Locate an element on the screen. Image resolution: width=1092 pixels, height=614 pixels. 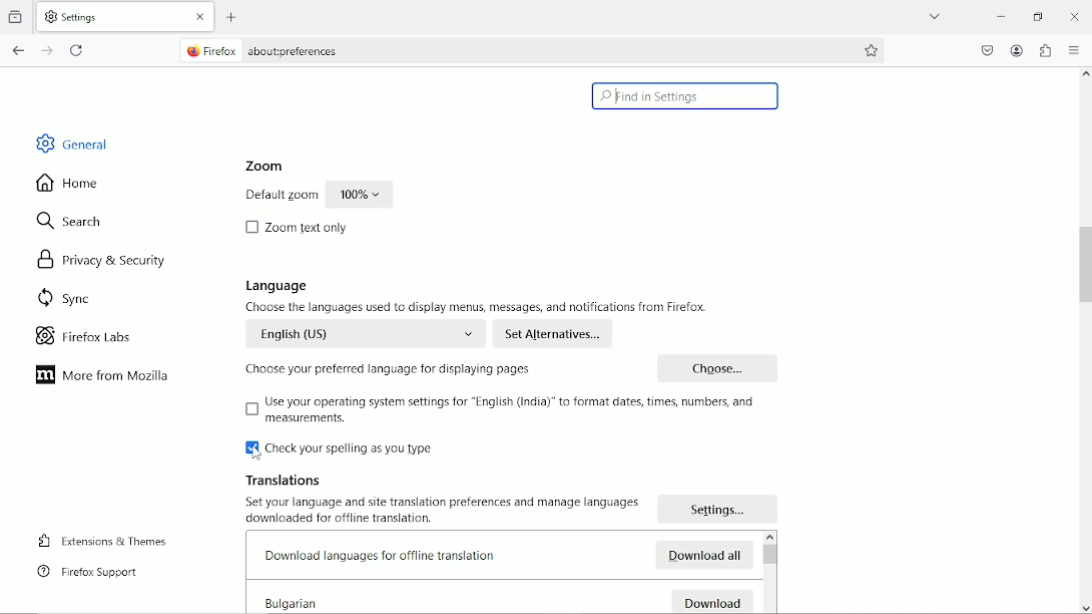
Set Alternatives is located at coordinates (549, 336).